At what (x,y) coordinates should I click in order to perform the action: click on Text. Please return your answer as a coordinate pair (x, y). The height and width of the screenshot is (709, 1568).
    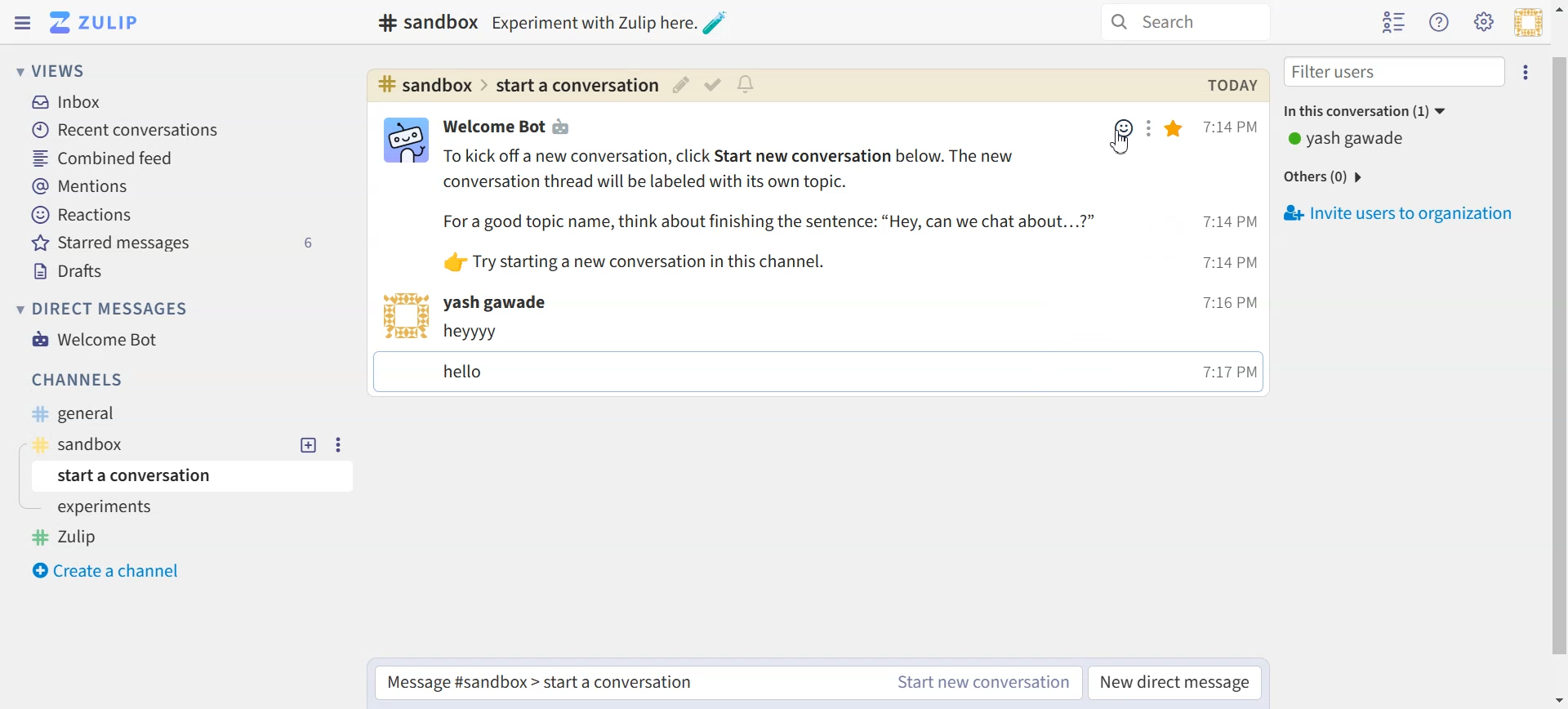
    Looking at the image, I should click on (424, 22).